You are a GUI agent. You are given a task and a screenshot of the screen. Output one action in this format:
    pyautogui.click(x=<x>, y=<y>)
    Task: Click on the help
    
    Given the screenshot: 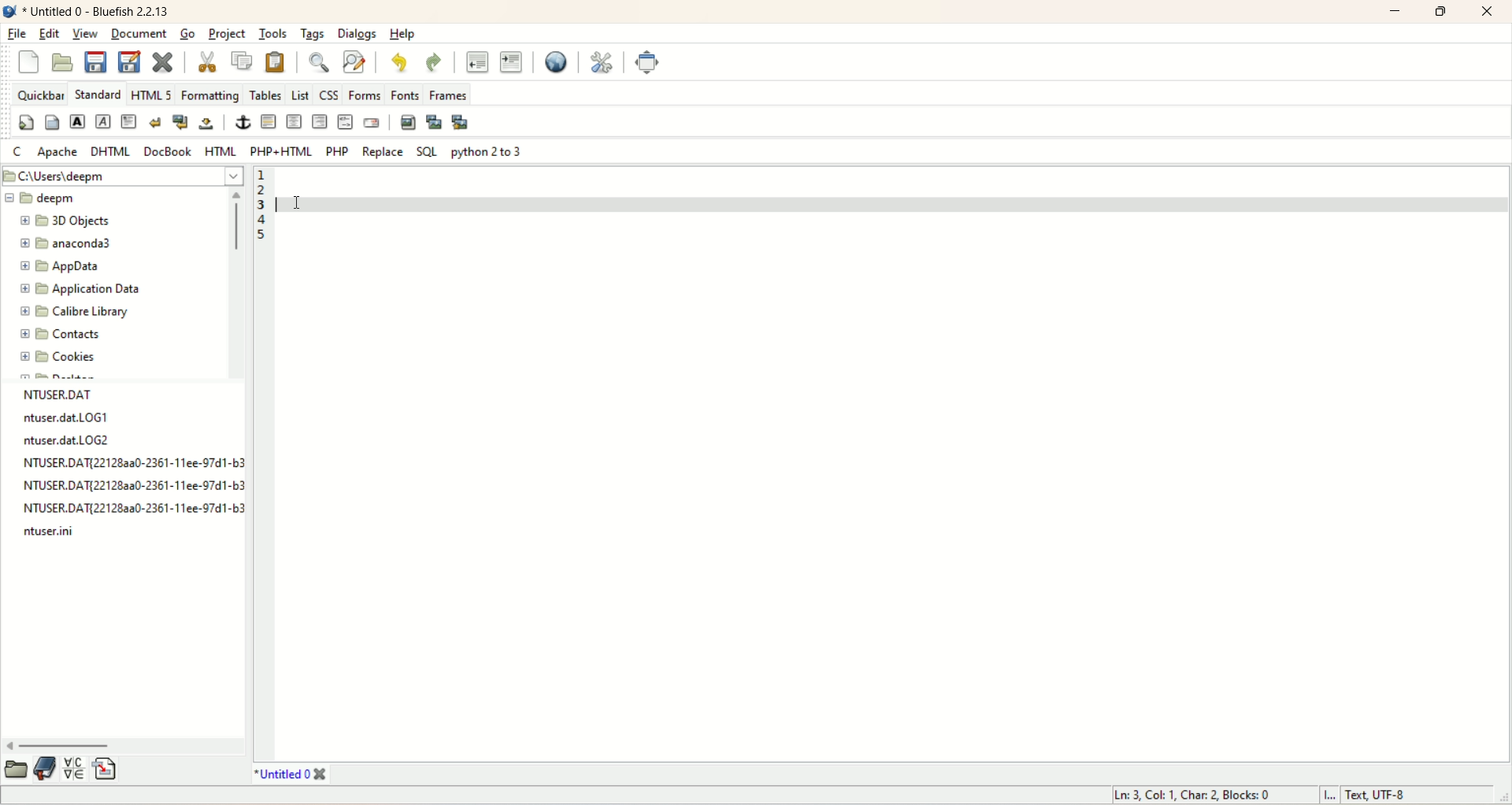 What is the action you would take?
    pyautogui.click(x=402, y=34)
    